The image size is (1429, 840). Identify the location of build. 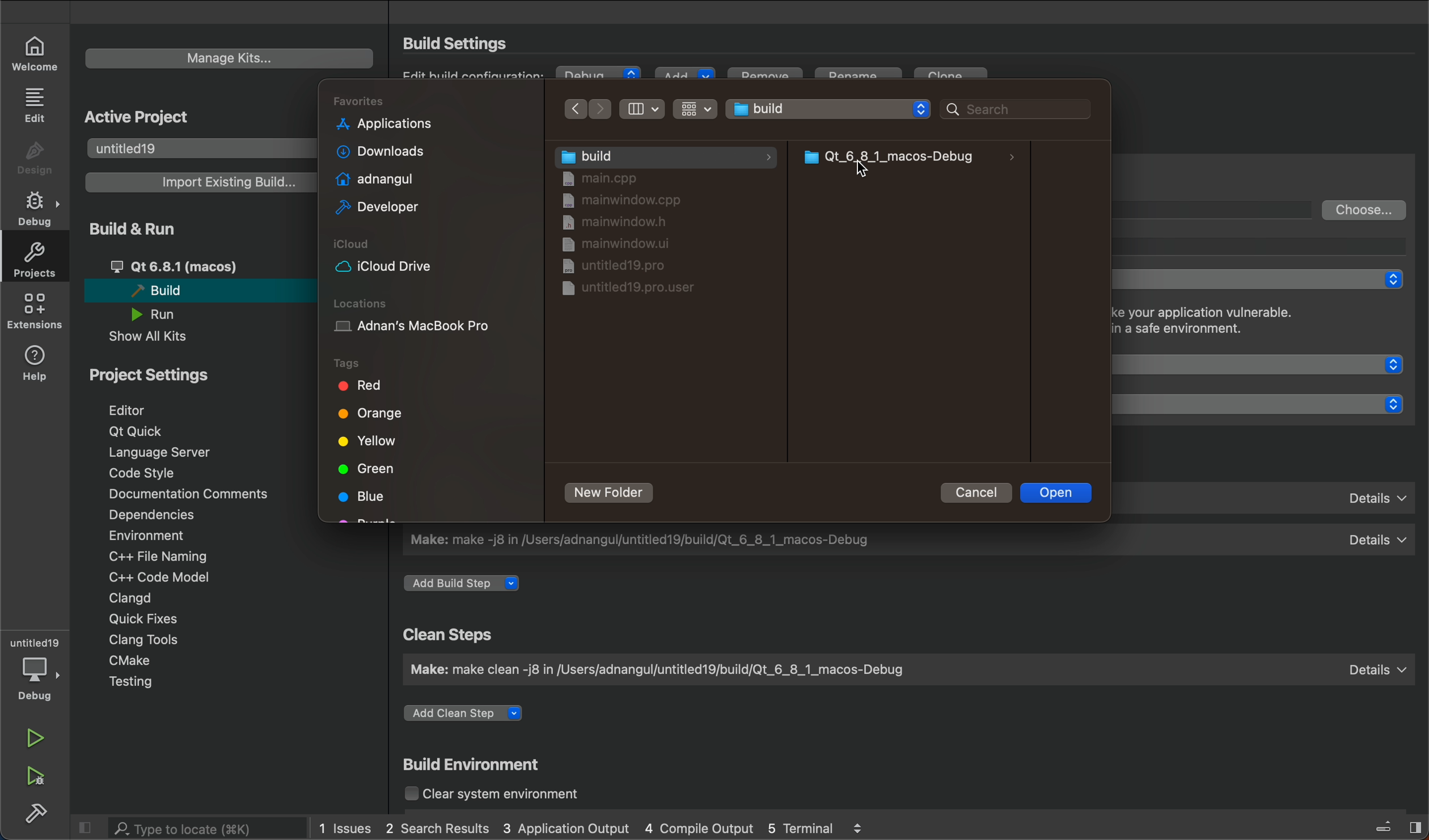
(194, 290).